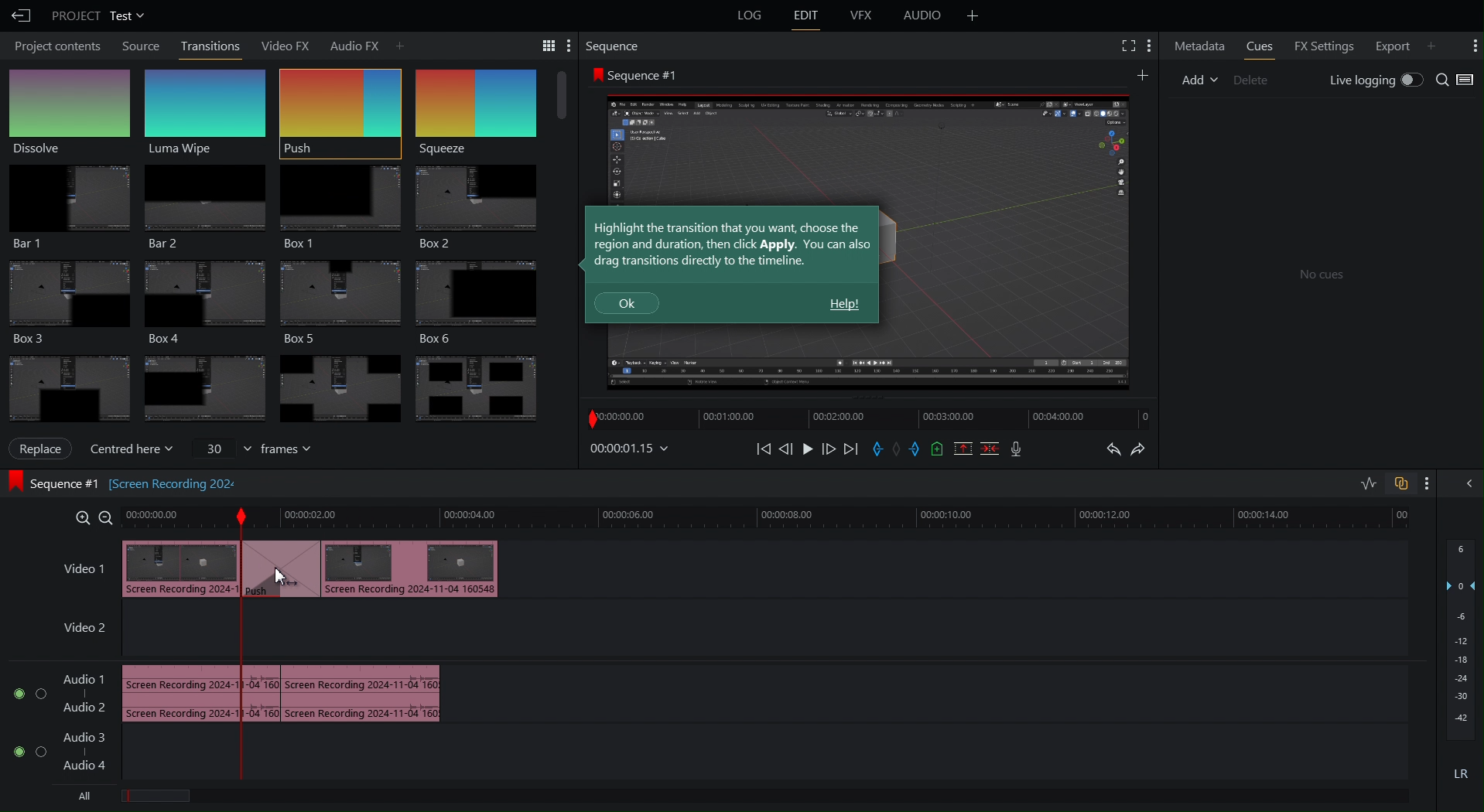  What do you see at coordinates (990, 448) in the screenshot?
I see `Delete/Cut` at bounding box center [990, 448].